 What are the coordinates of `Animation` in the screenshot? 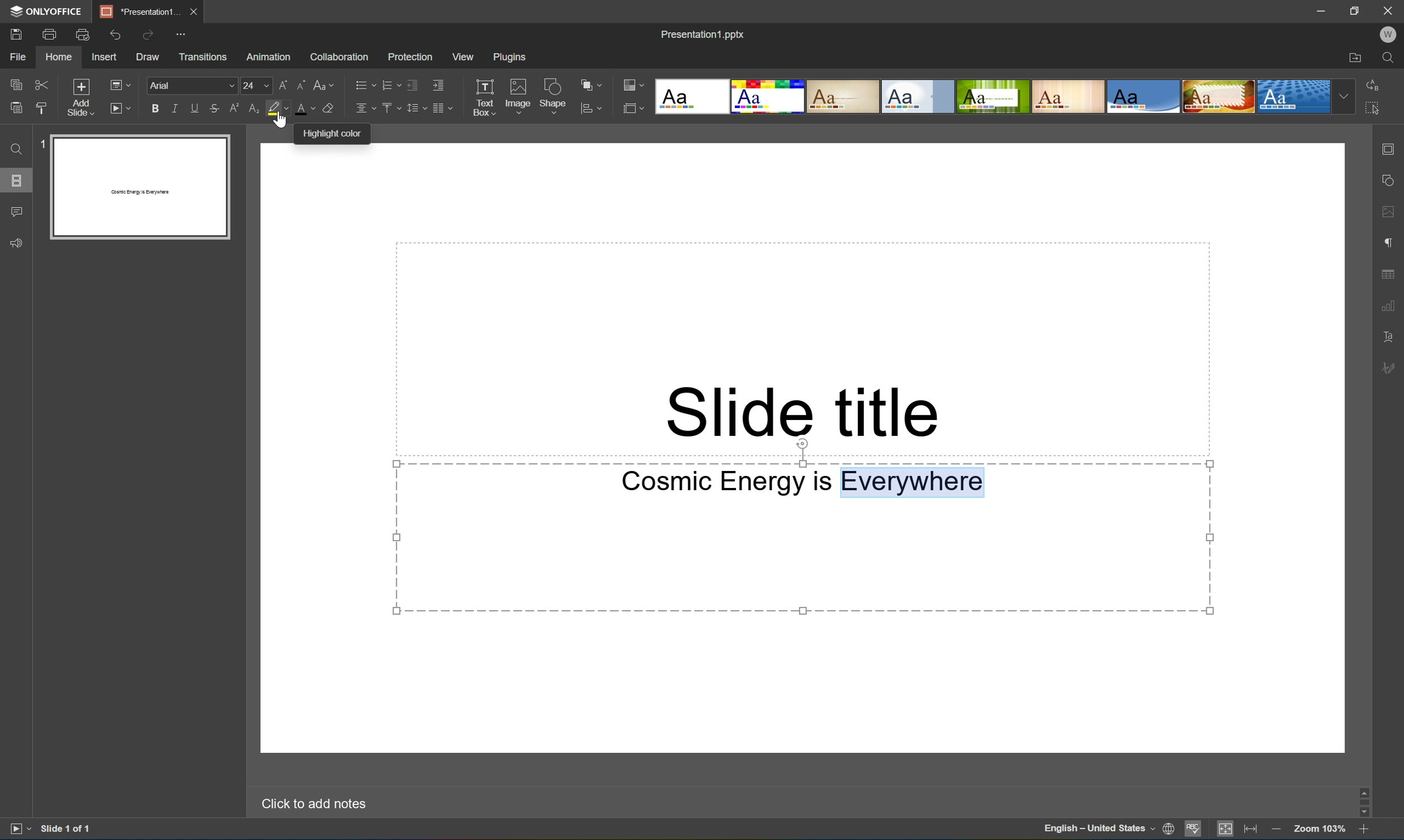 It's located at (272, 54).